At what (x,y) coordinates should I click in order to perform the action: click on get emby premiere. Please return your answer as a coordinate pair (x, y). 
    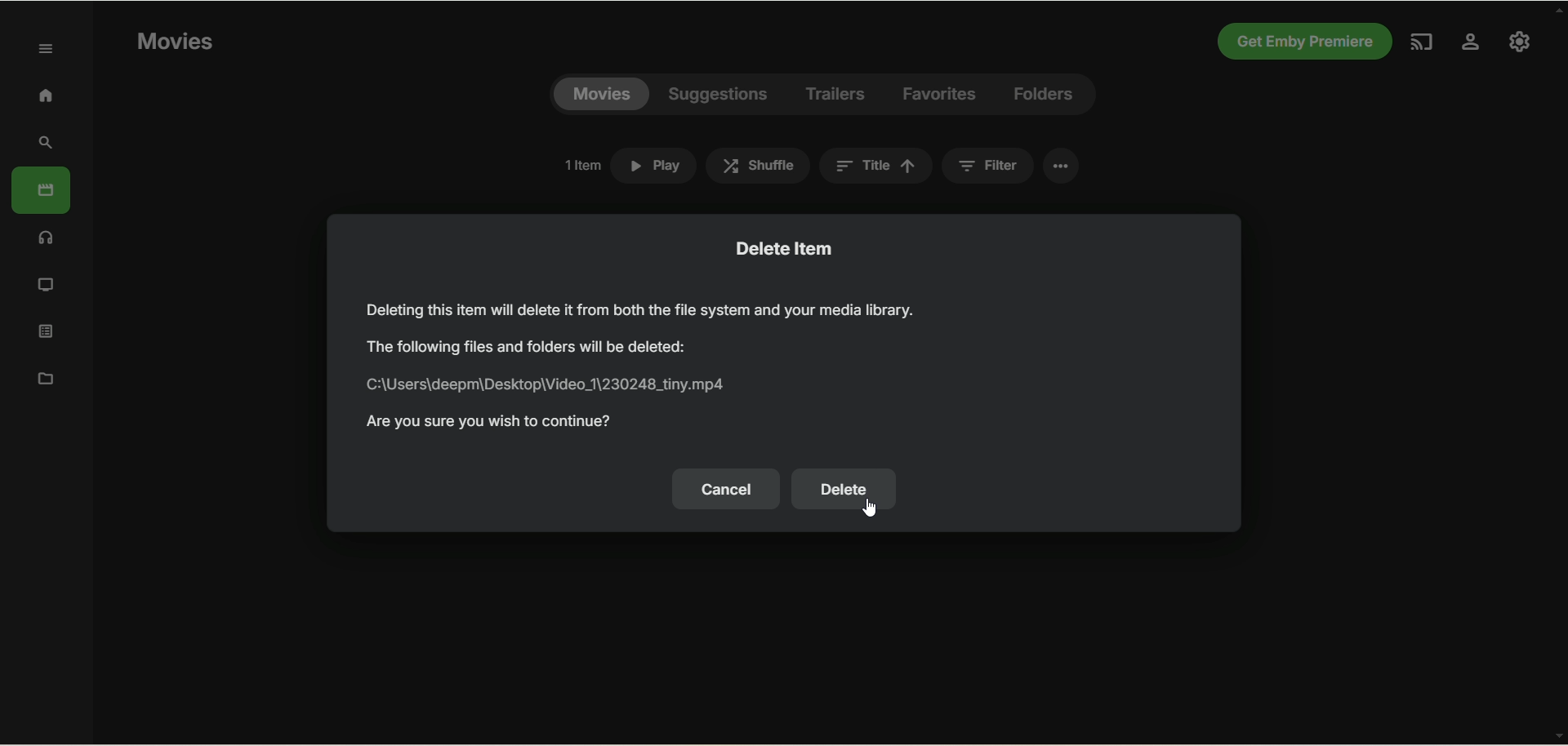
    Looking at the image, I should click on (1300, 42).